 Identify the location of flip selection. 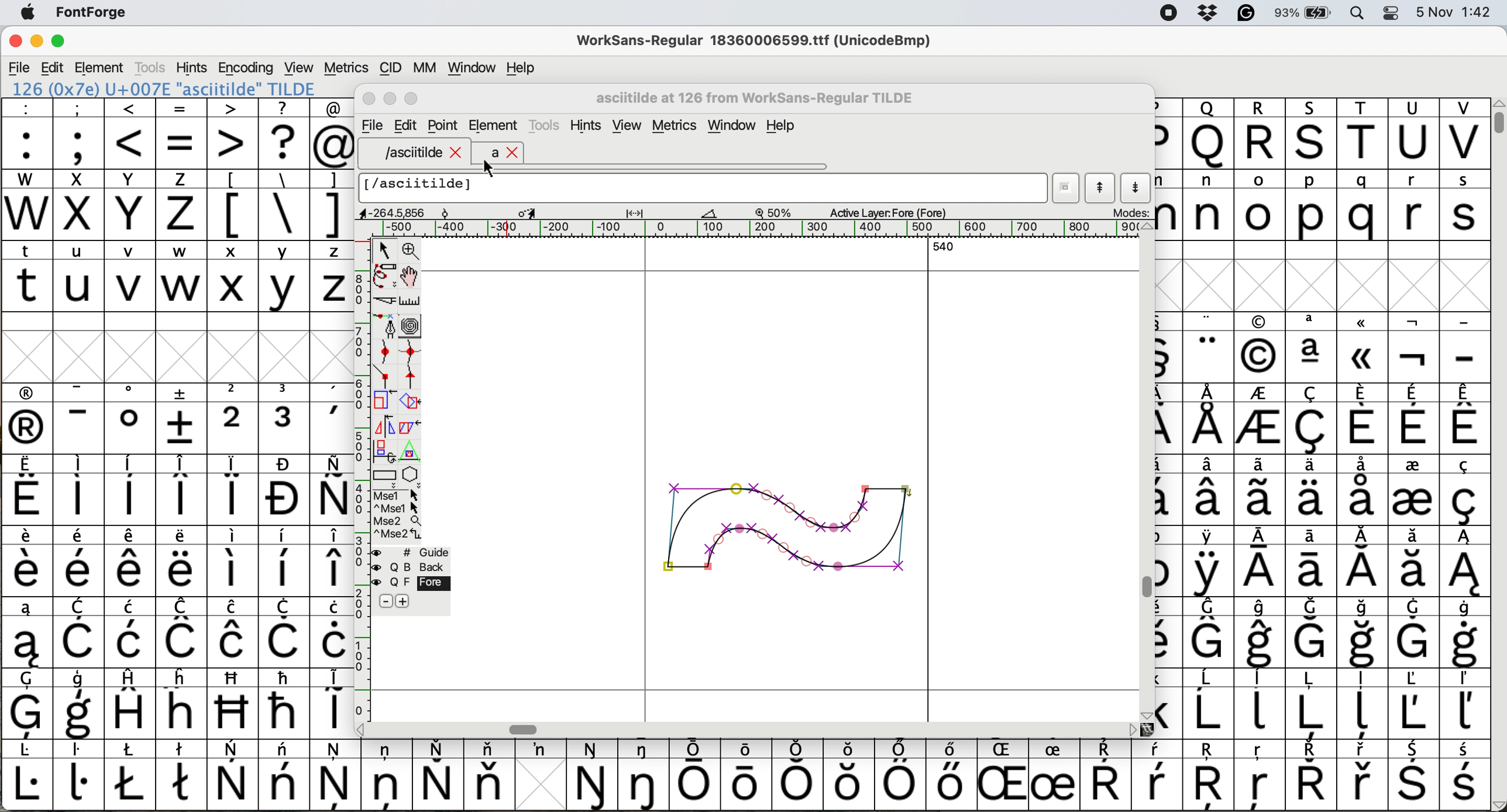
(384, 425).